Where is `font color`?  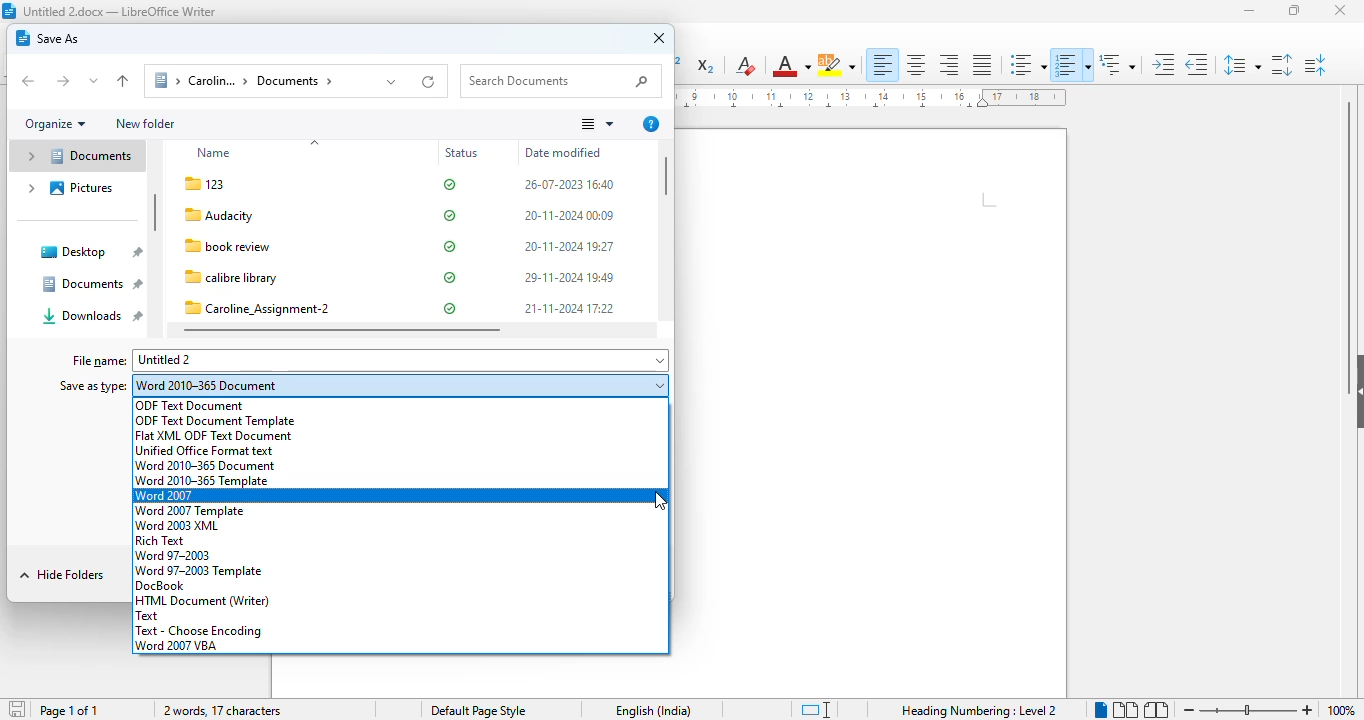 font color is located at coordinates (791, 65).